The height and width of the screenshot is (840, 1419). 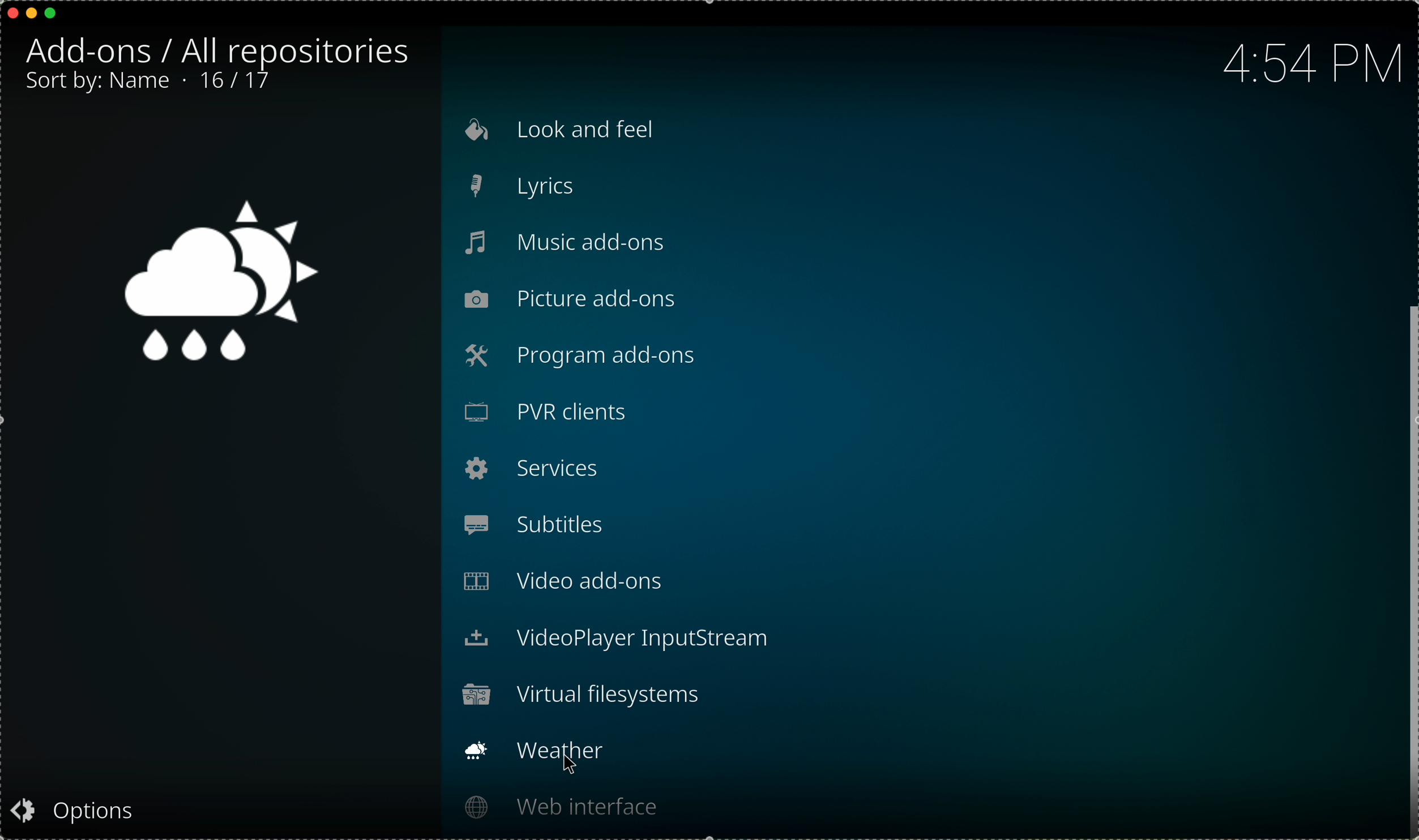 What do you see at coordinates (572, 300) in the screenshot?
I see `picture add-ons` at bounding box center [572, 300].